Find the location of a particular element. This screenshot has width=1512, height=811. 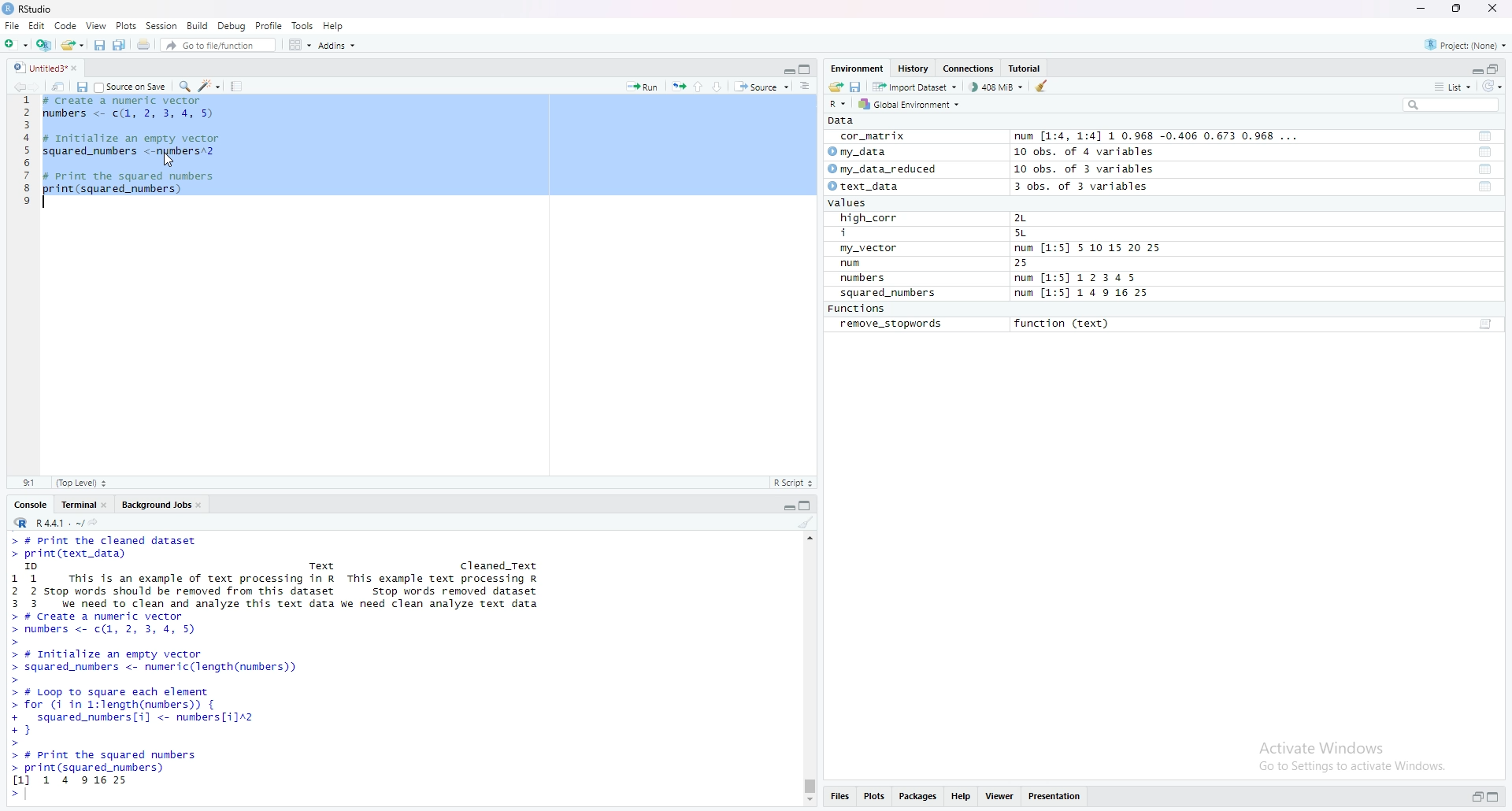

Code is located at coordinates (66, 25).